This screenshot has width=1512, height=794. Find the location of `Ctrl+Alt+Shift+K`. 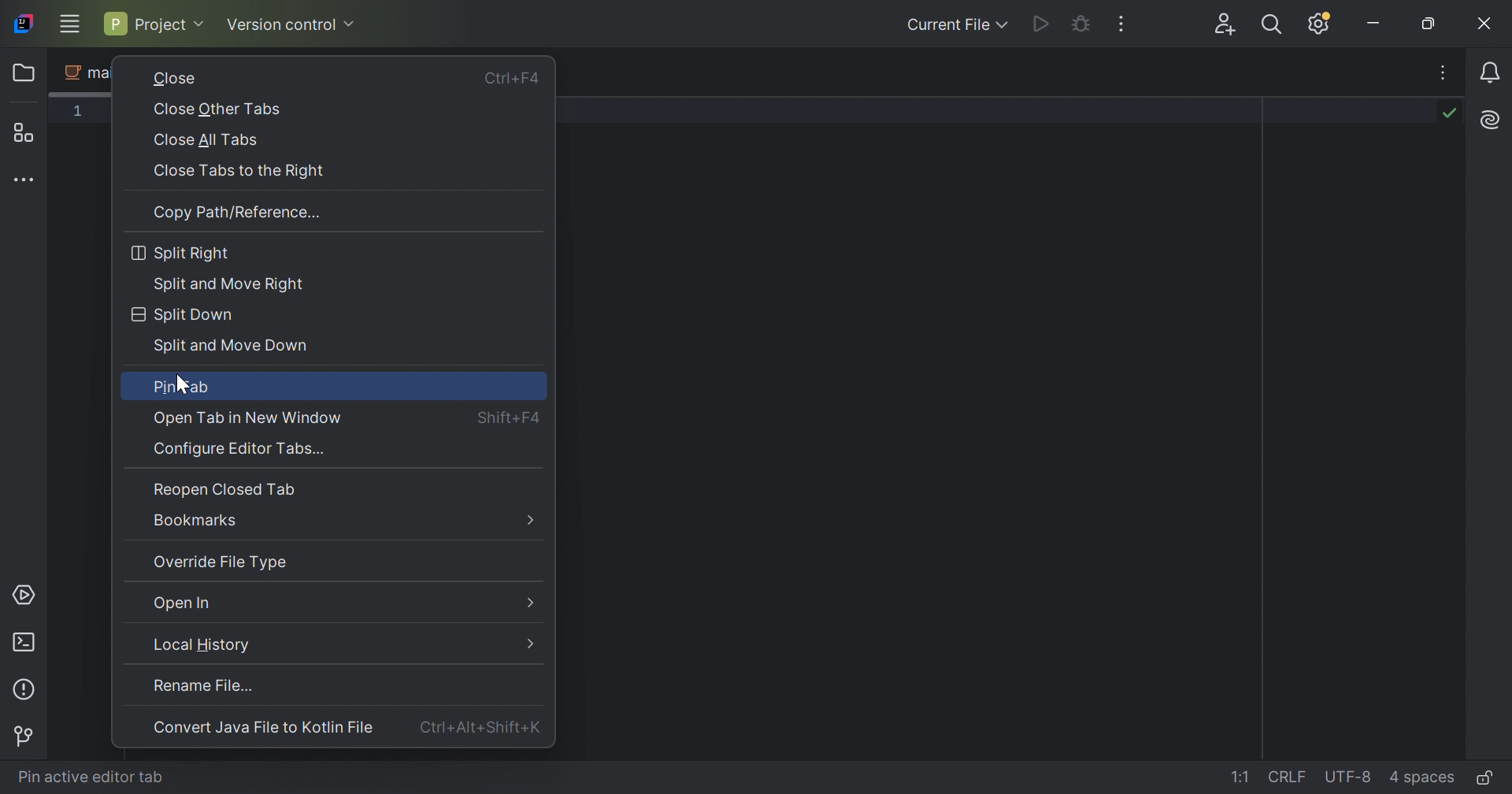

Ctrl+Alt+Shift+K is located at coordinates (480, 727).